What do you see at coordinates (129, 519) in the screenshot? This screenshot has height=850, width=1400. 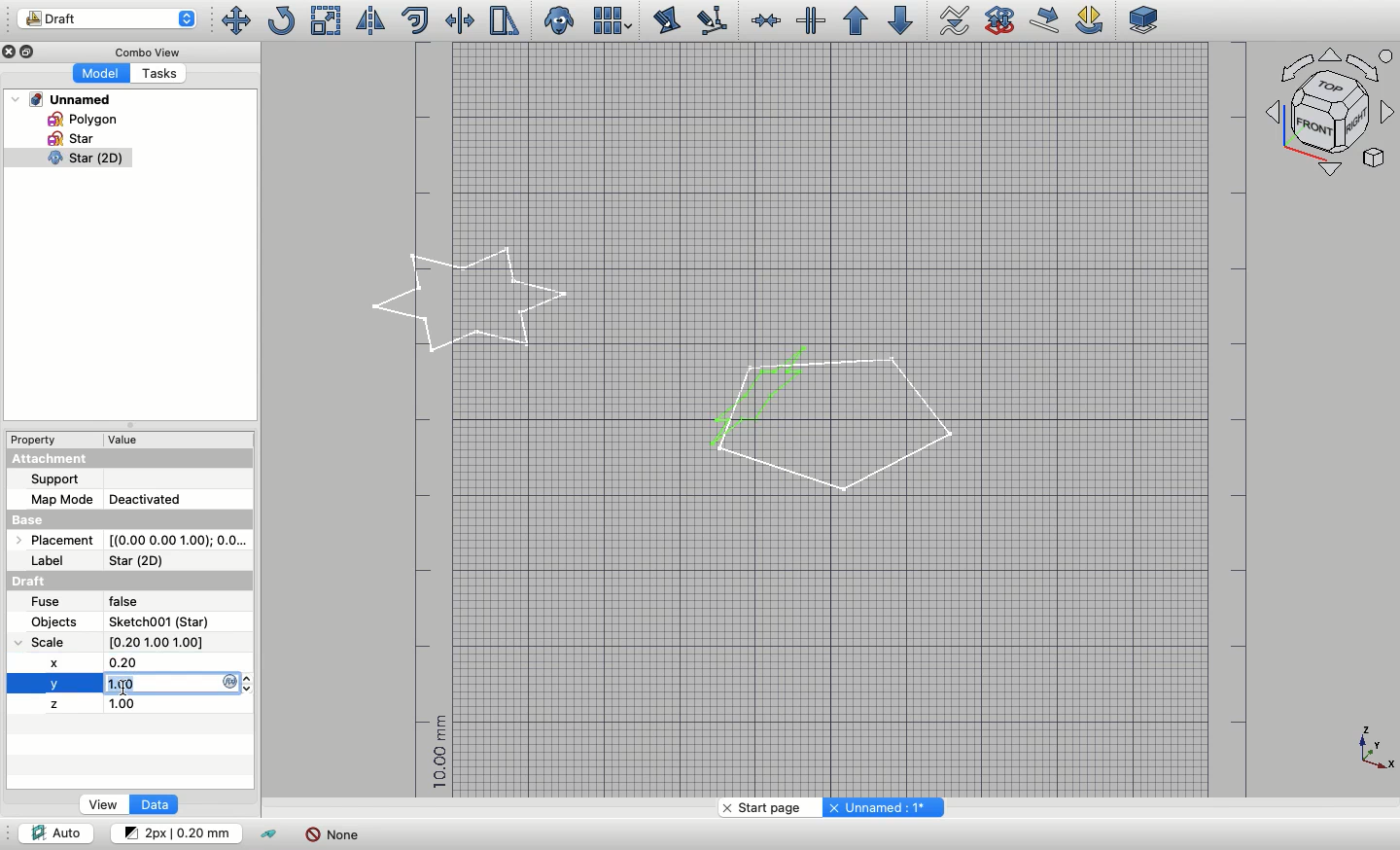 I see `Base` at bounding box center [129, 519].